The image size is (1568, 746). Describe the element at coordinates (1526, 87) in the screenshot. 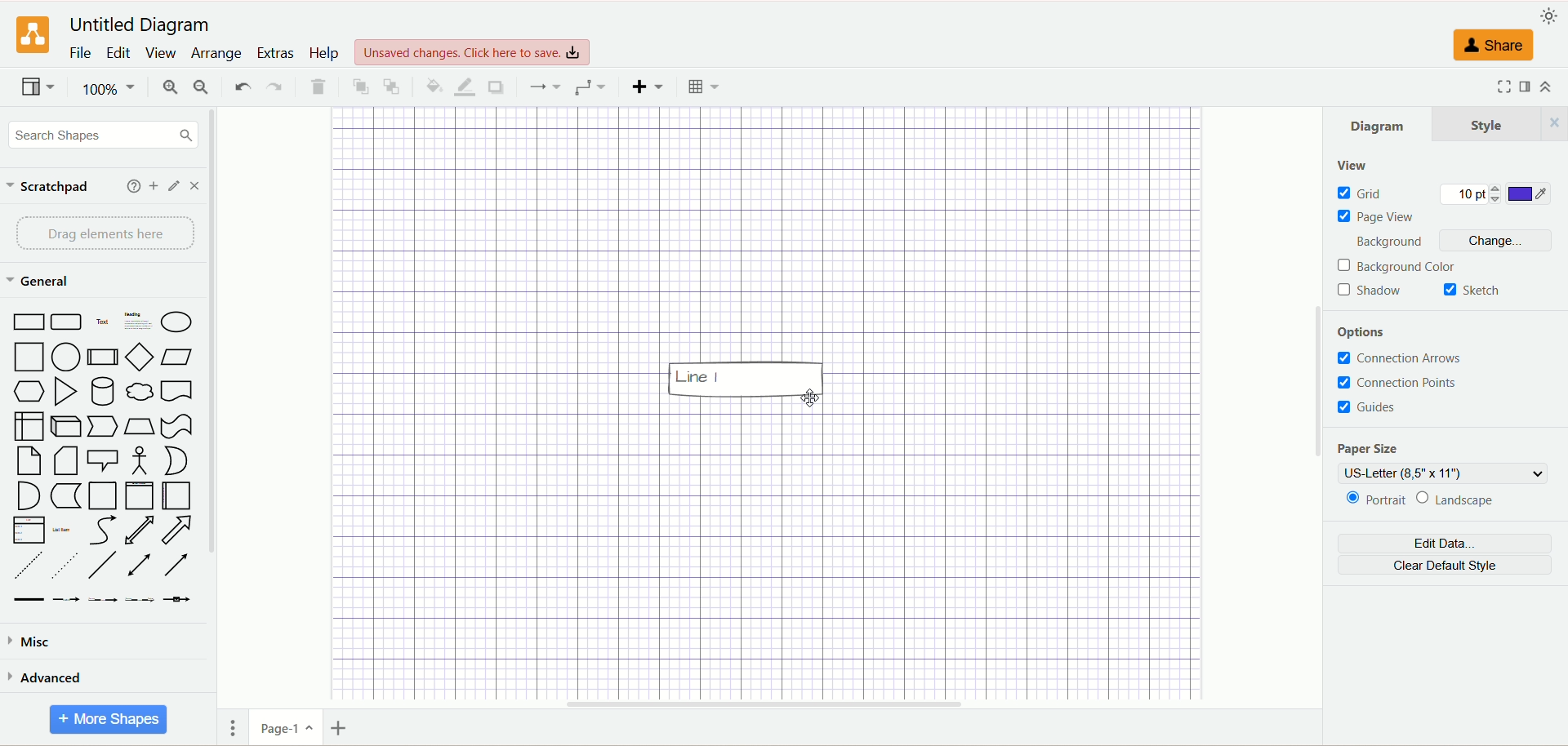

I see `format` at that location.